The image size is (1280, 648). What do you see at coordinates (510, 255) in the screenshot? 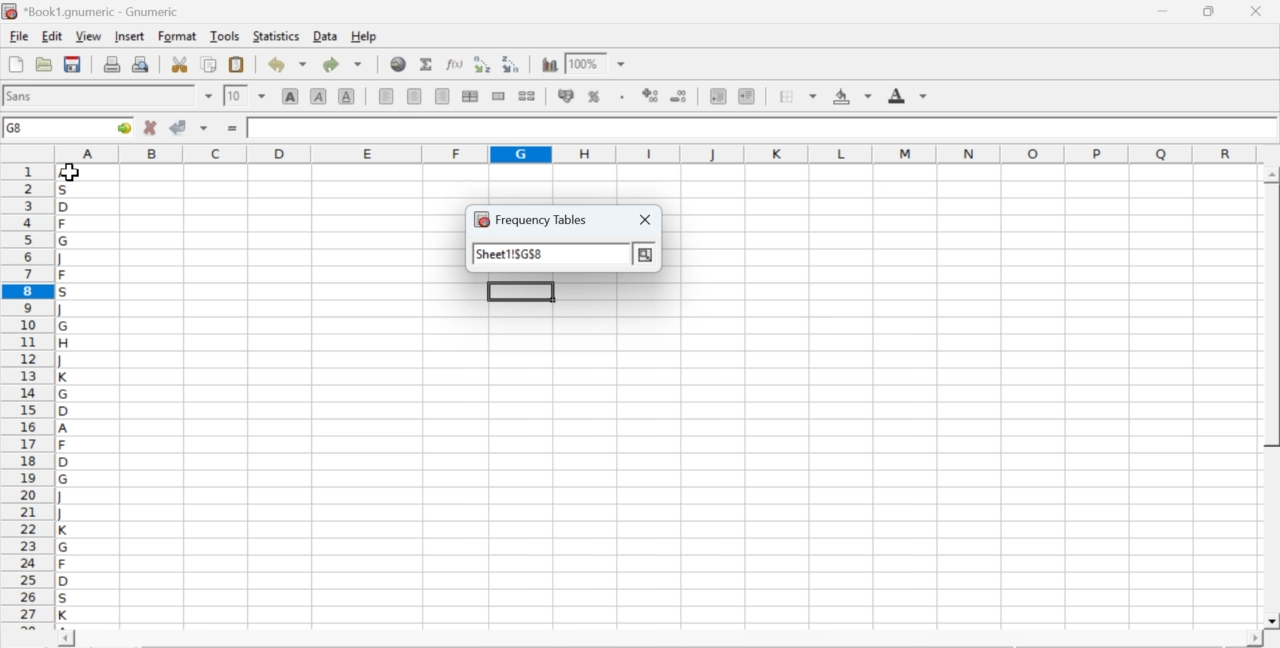
I see `sheet!$G$8` at bounding box center [510, 255].